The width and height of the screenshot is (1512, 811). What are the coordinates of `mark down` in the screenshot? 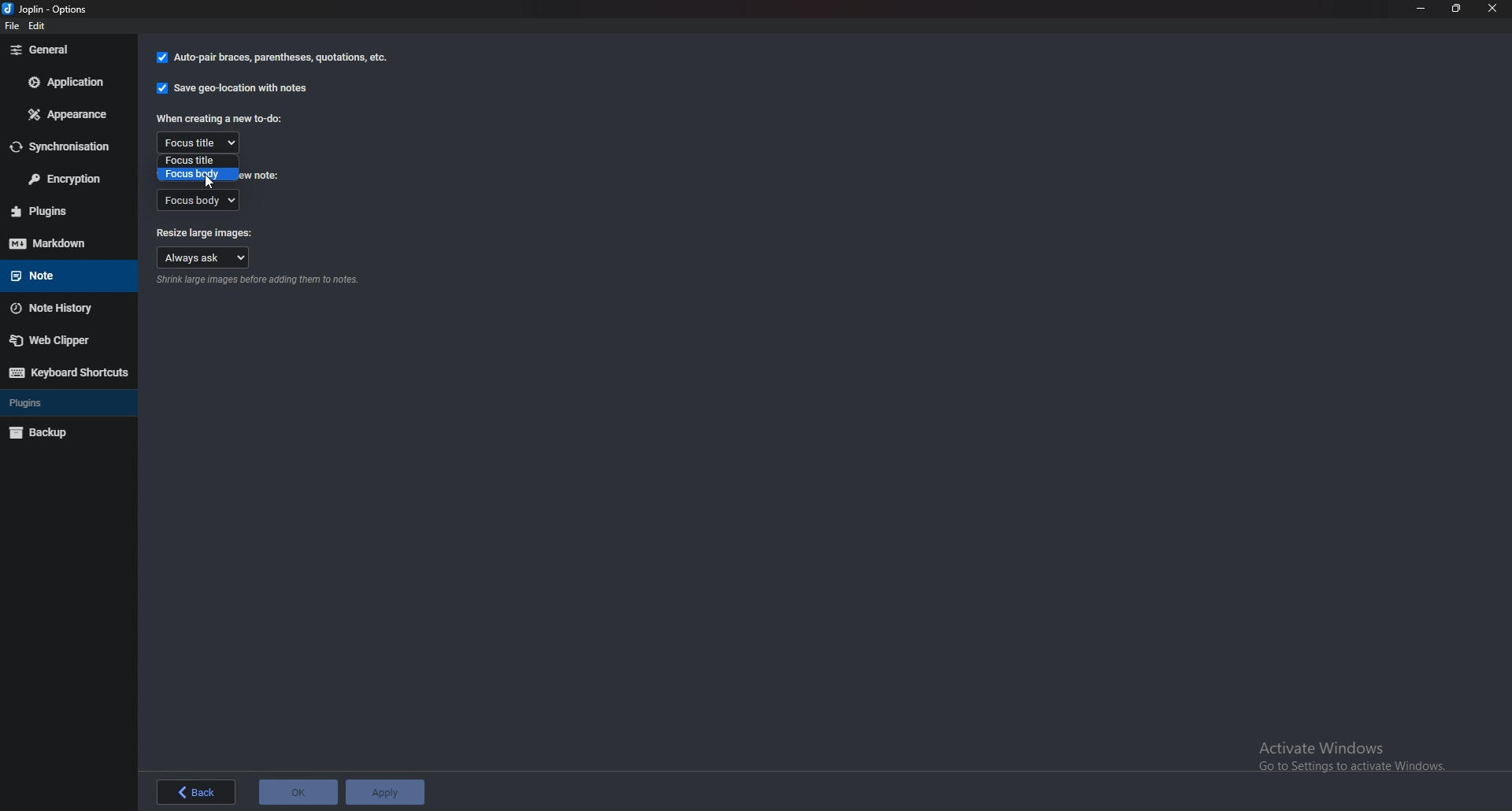 It's located at (65, 243).